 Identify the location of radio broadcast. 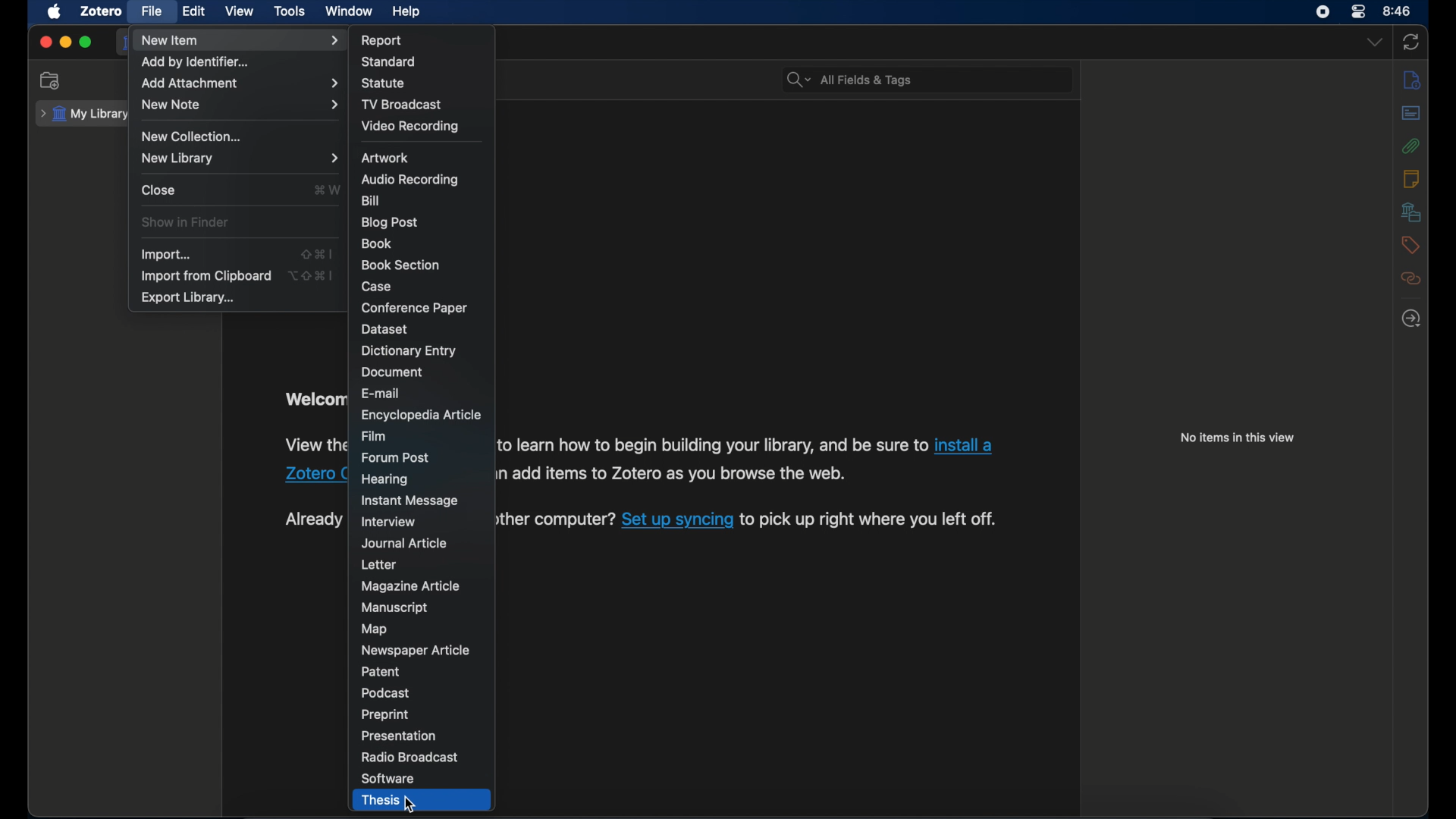
(409, 757).